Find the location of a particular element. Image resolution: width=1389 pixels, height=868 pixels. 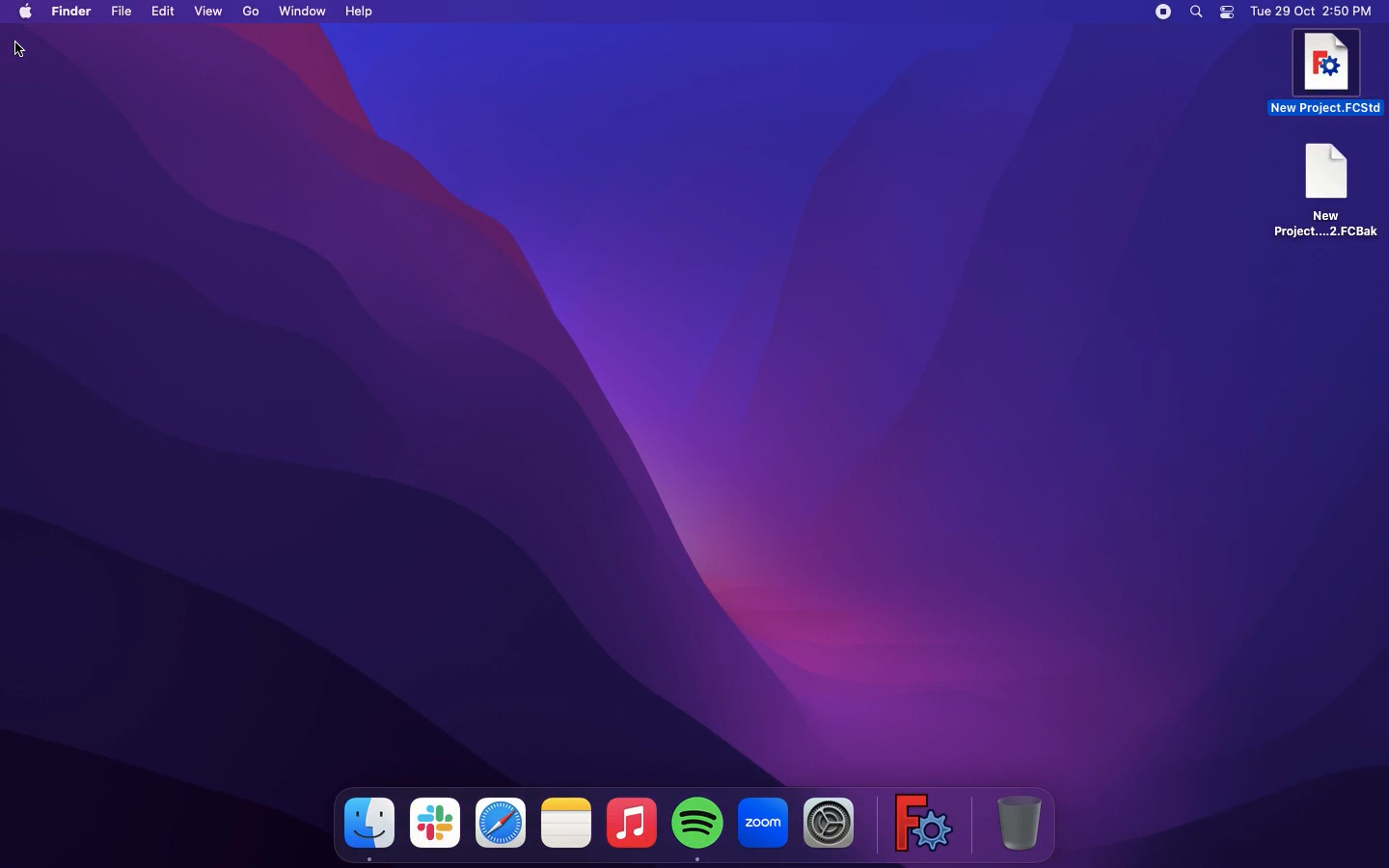

Search is located at coordinates (1199, 13).